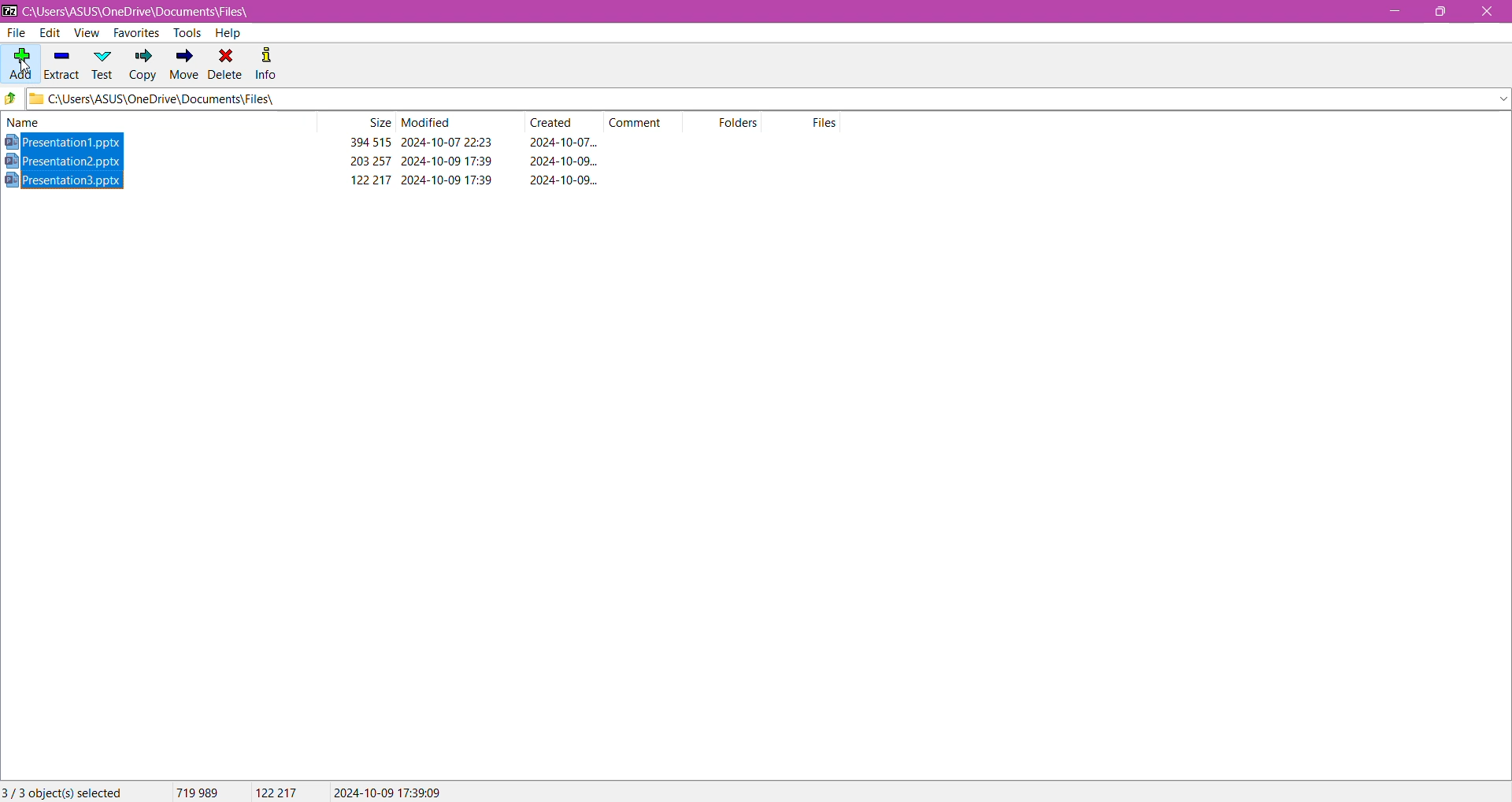 Image resolution: width=1512 pixels, height=802 pixels. What do you see at coordinates (11, 100) in the screenshot?
I see `Move back one step` at bounding box center [11, 100].